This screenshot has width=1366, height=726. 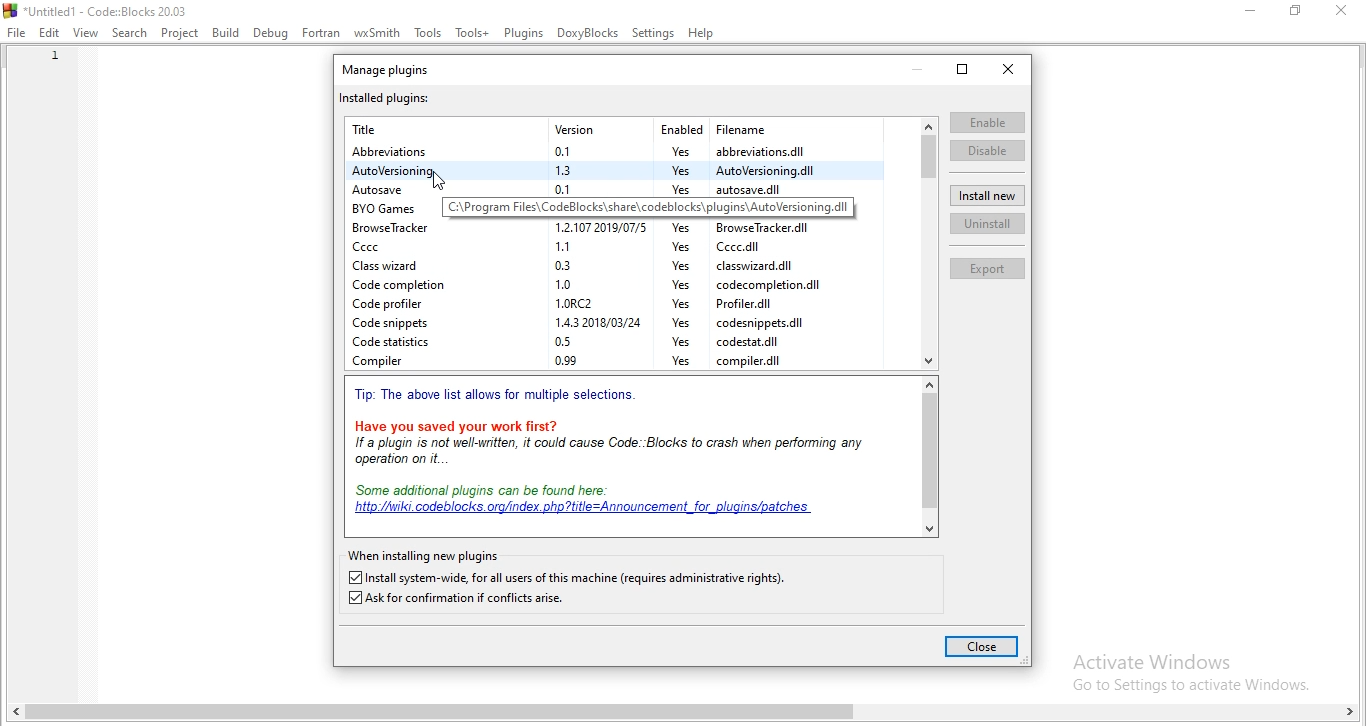 What do you see at coordinates (179, 34) in the screenshot?
I see `Project` at bounding box center [179, 34].